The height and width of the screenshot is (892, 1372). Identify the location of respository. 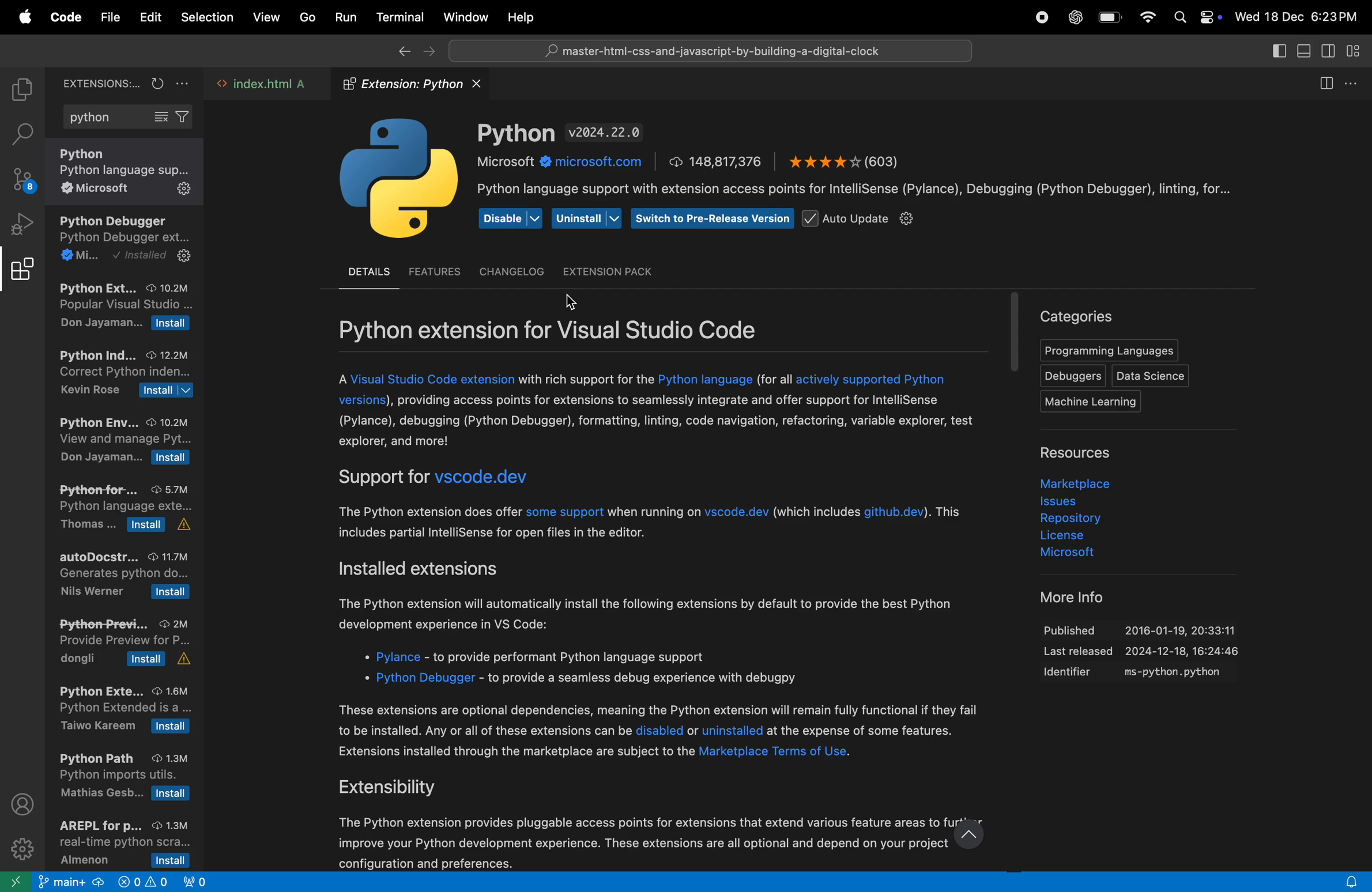
(1077, 520).